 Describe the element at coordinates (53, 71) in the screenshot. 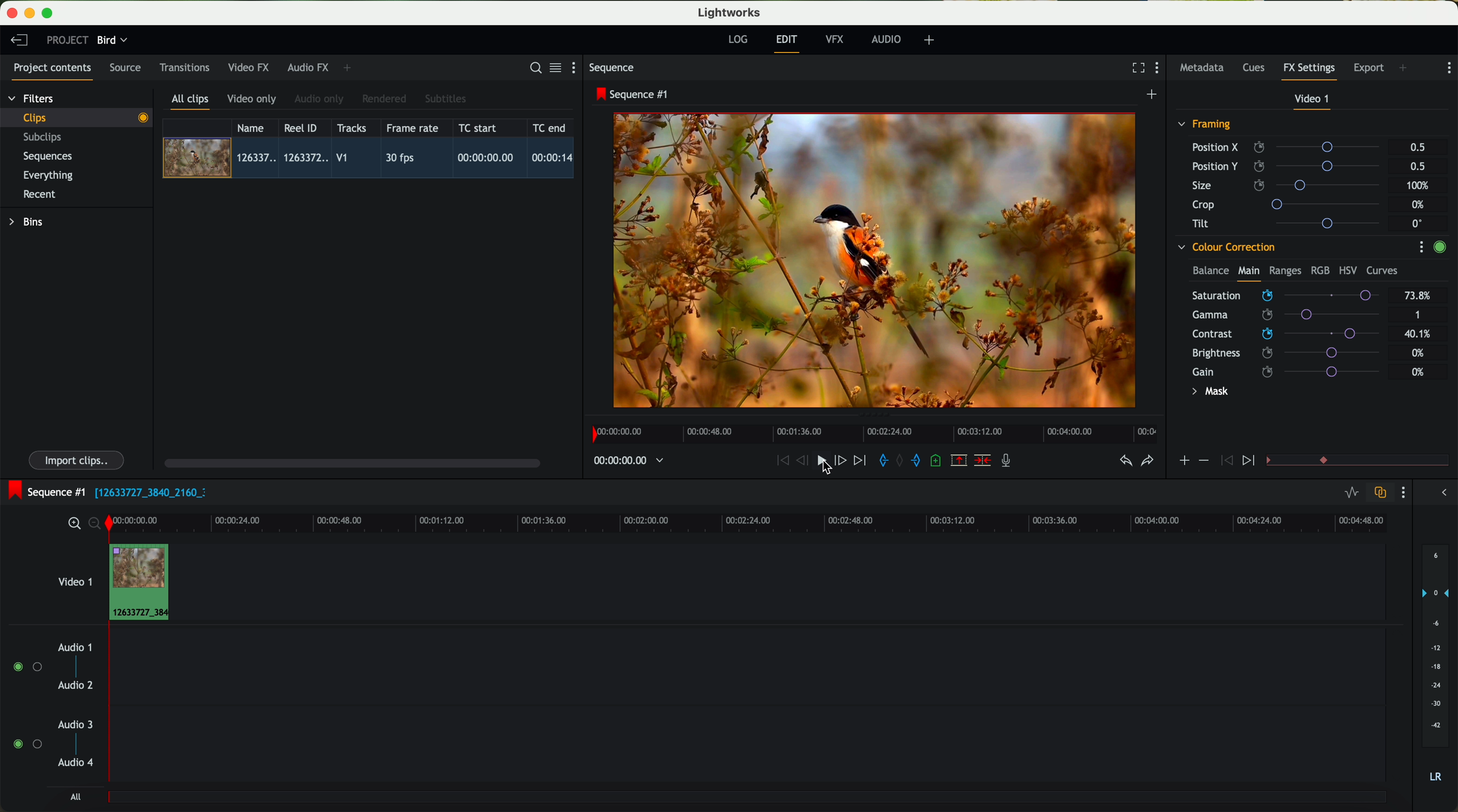

I see `project contents` at that location.